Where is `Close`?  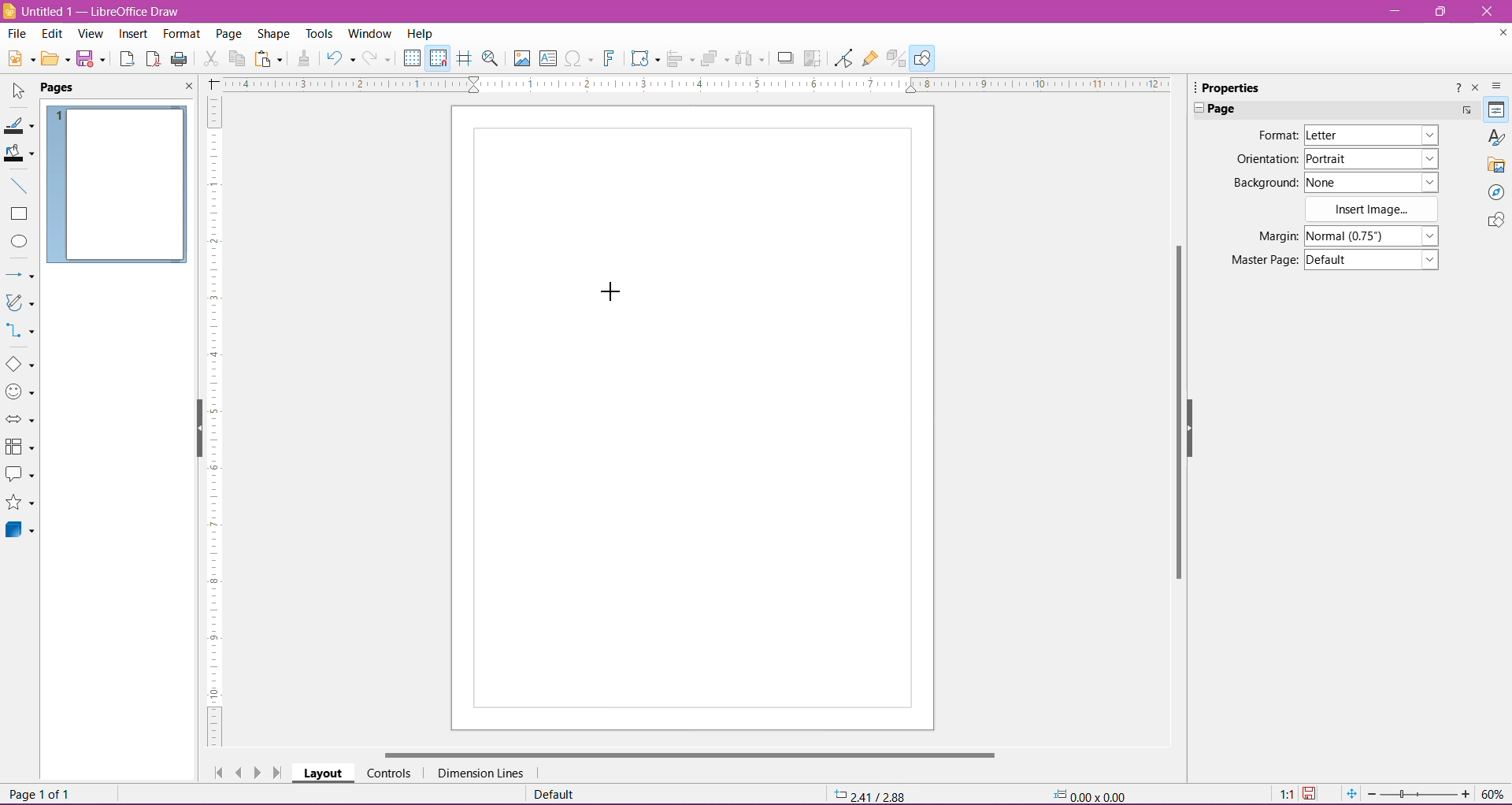 Close is located at coordinates (1488, 12).